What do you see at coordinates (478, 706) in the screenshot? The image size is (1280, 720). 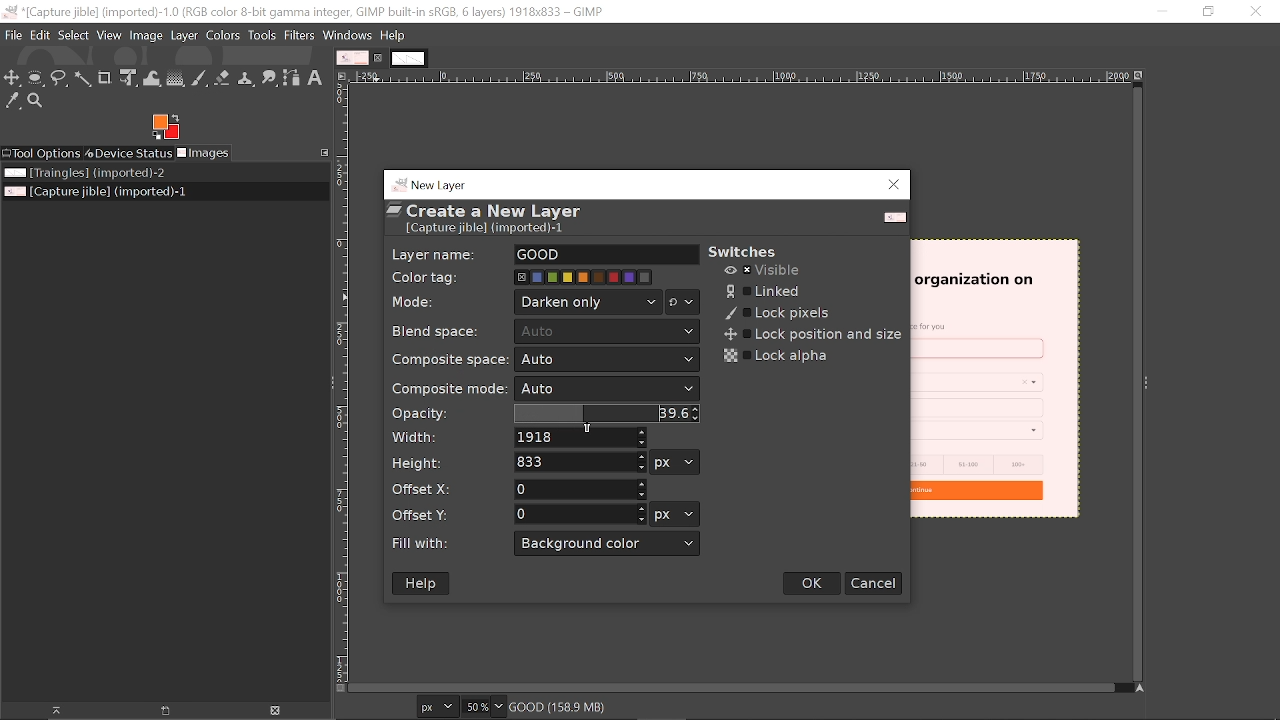 I see `Current zoom` at bounding box center [478, 706].